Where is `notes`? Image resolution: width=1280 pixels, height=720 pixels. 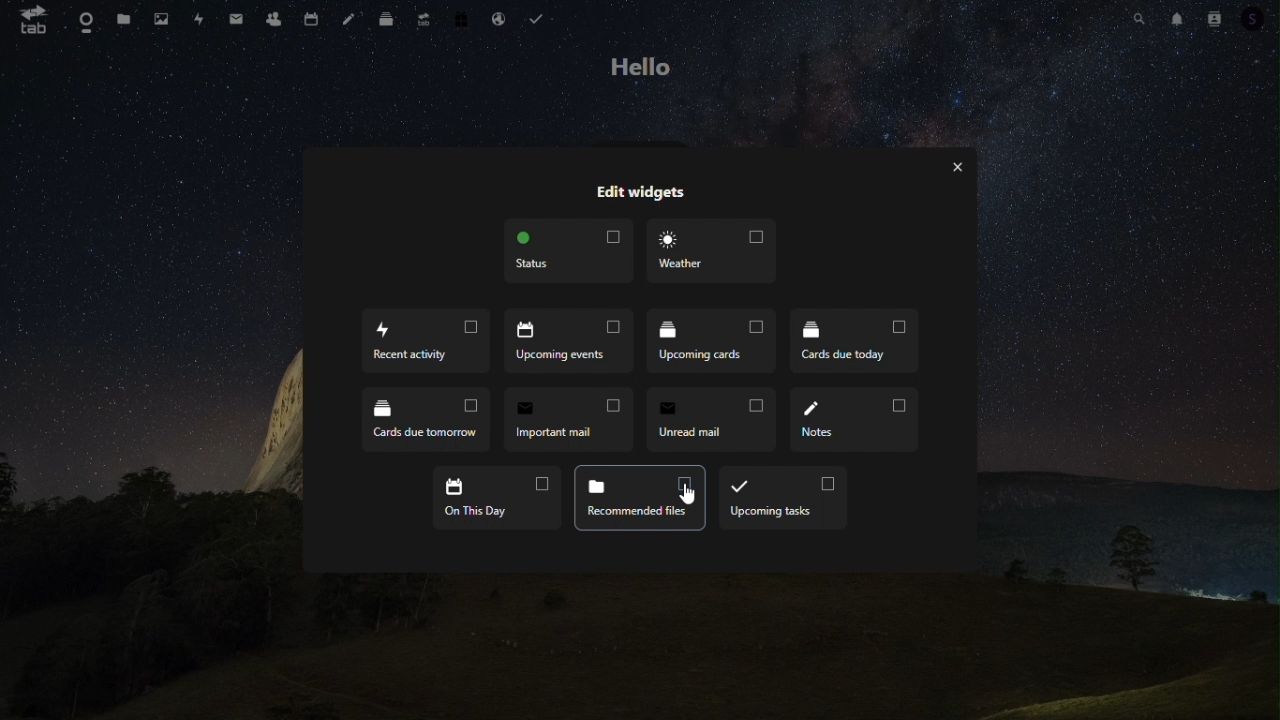 notes is located at coordinates (858, 418).